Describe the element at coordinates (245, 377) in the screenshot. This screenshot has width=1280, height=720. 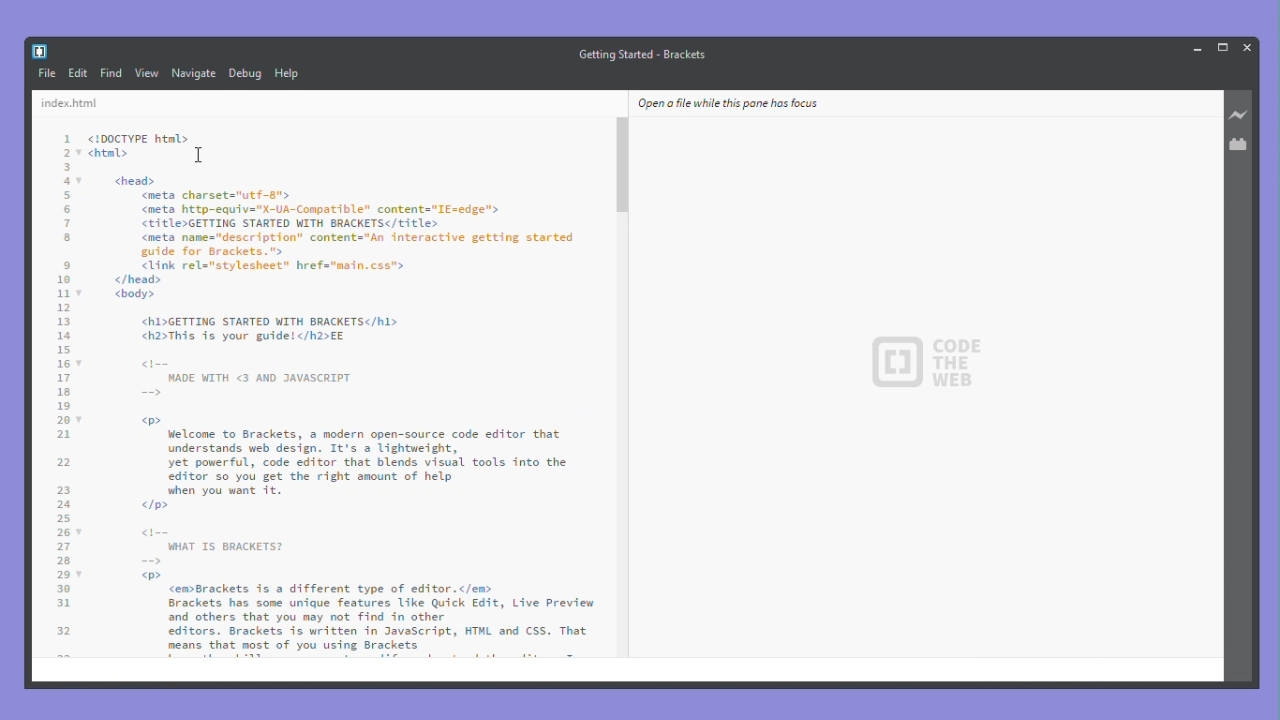
I see `<!-- MADE WITH <3 AND JAVASCRIPT -->` at that location.